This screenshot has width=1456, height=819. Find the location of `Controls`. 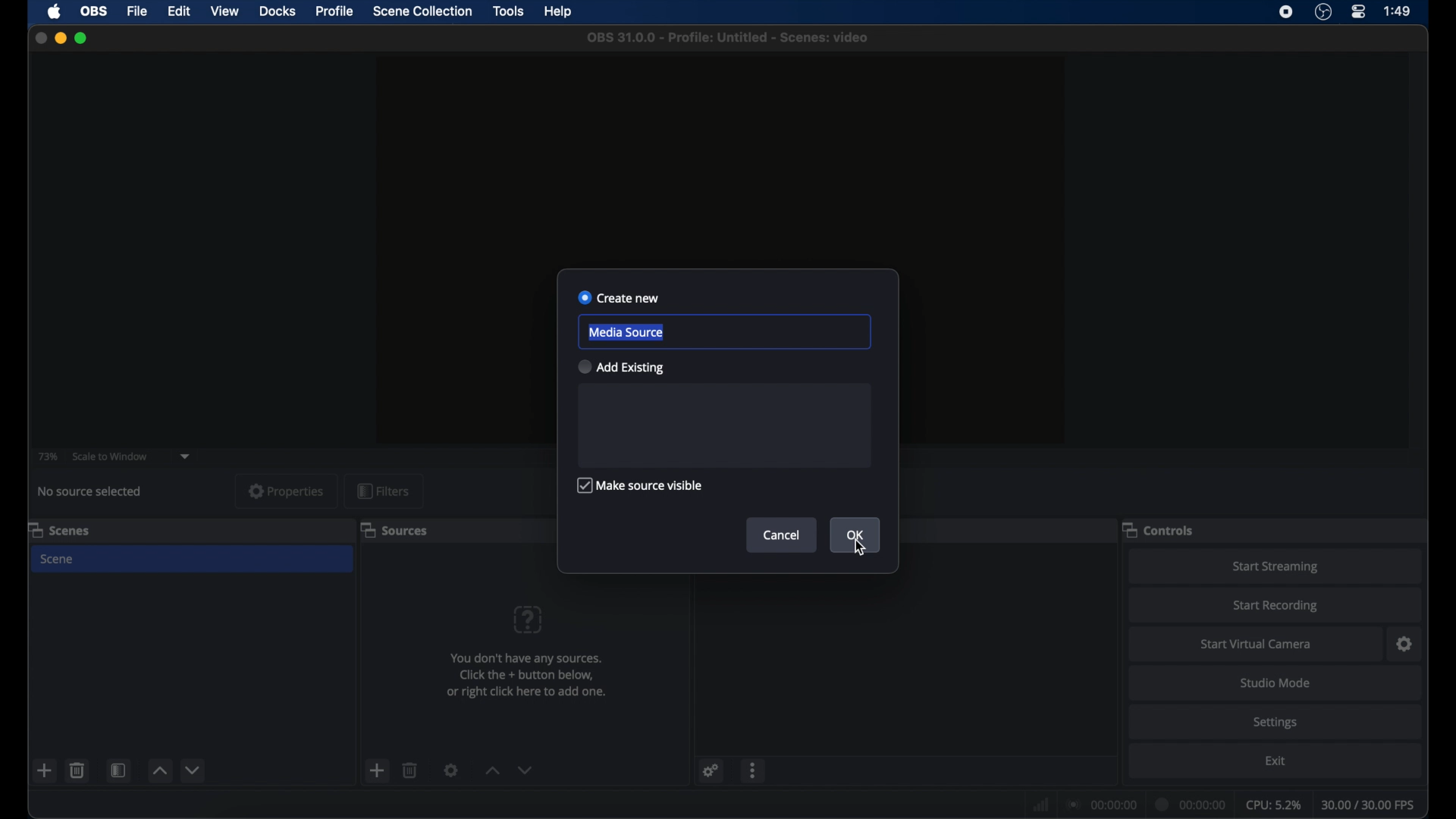

Controls is located at coordinates (1162, 531).